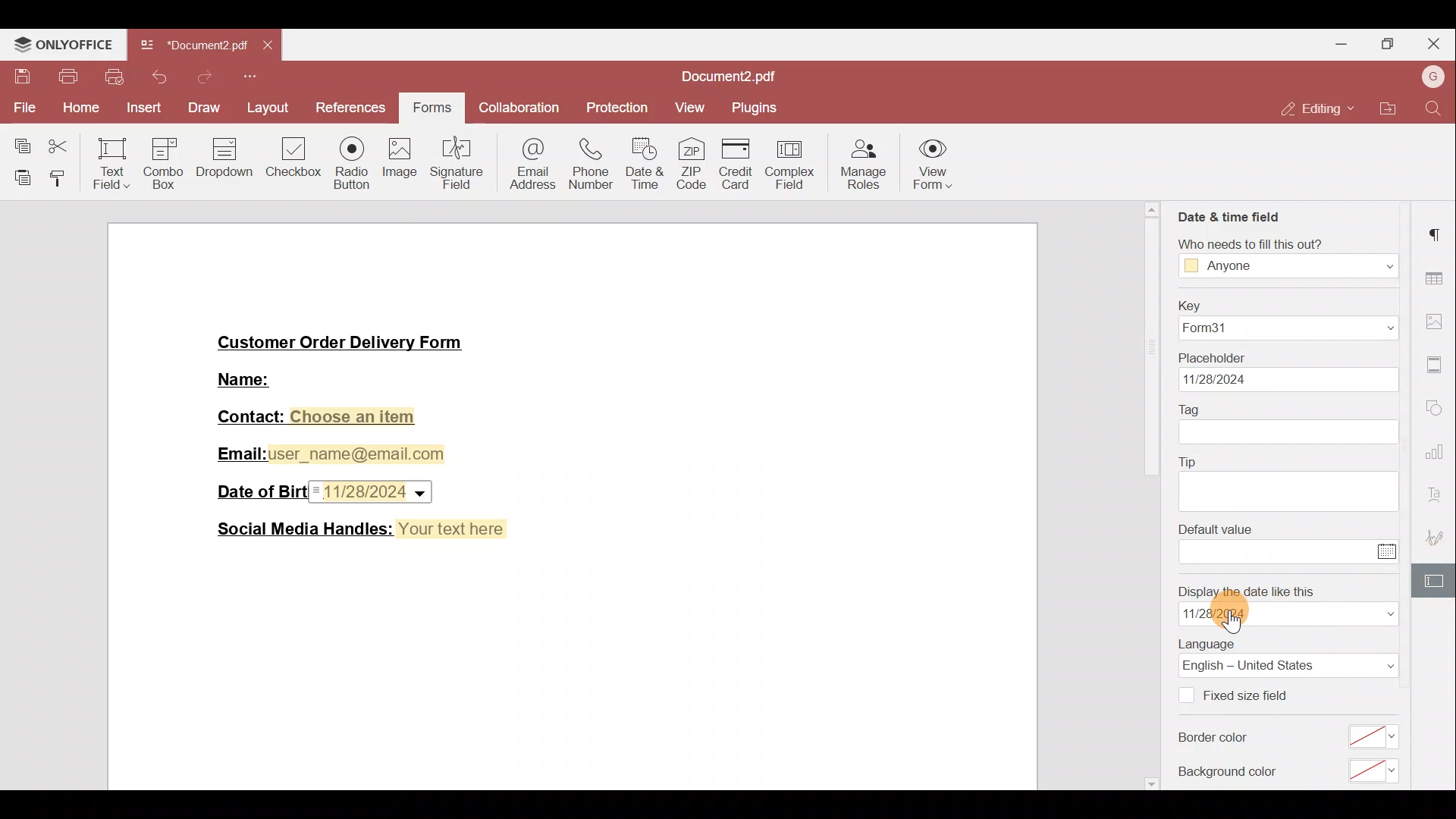 The image size is (1456, 819). What do you see at coordinates (226, 161) in the screenshot?
I see `Dropdown` at bounding box center [226, 161].